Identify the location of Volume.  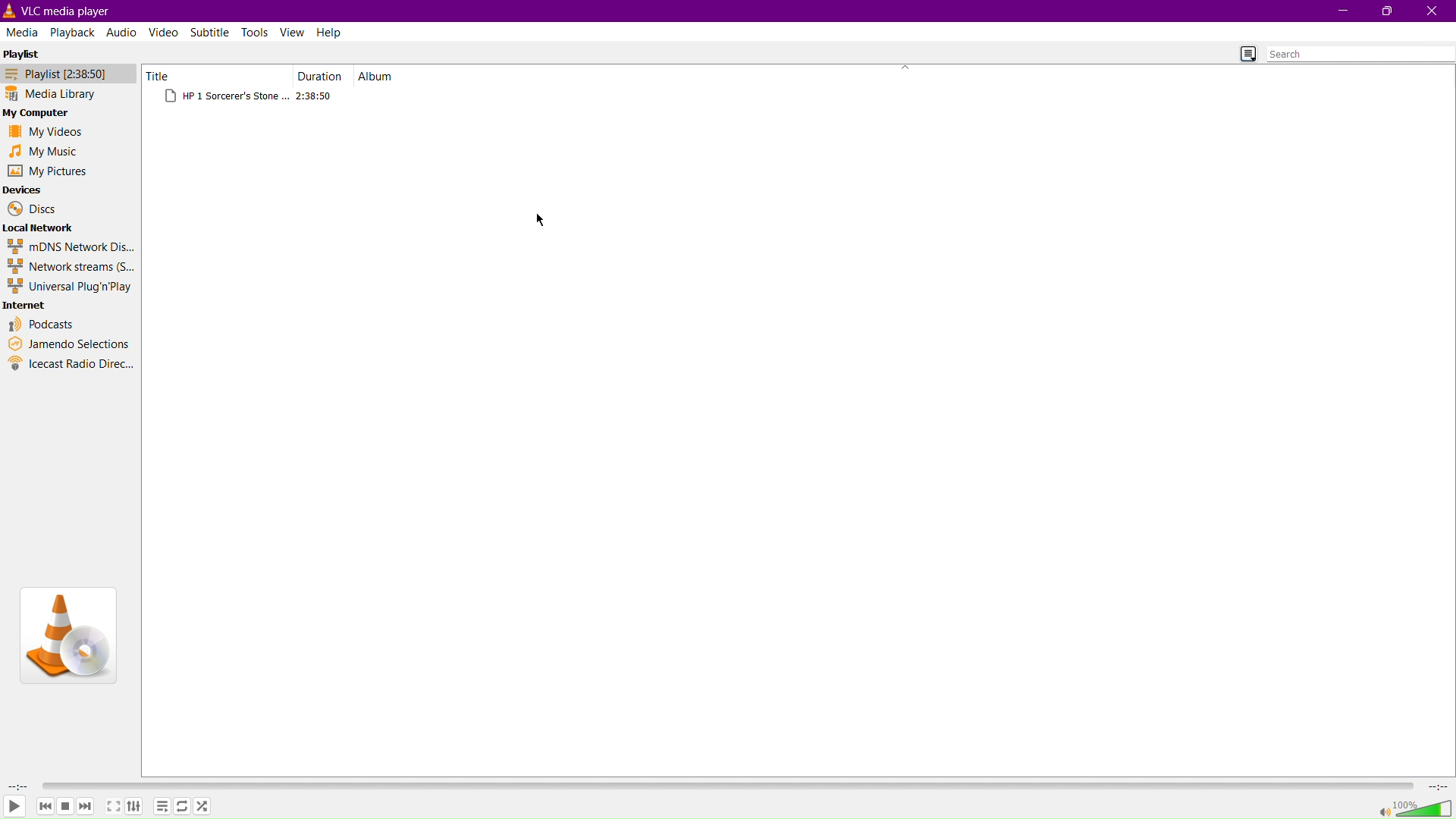
(1415, 808).